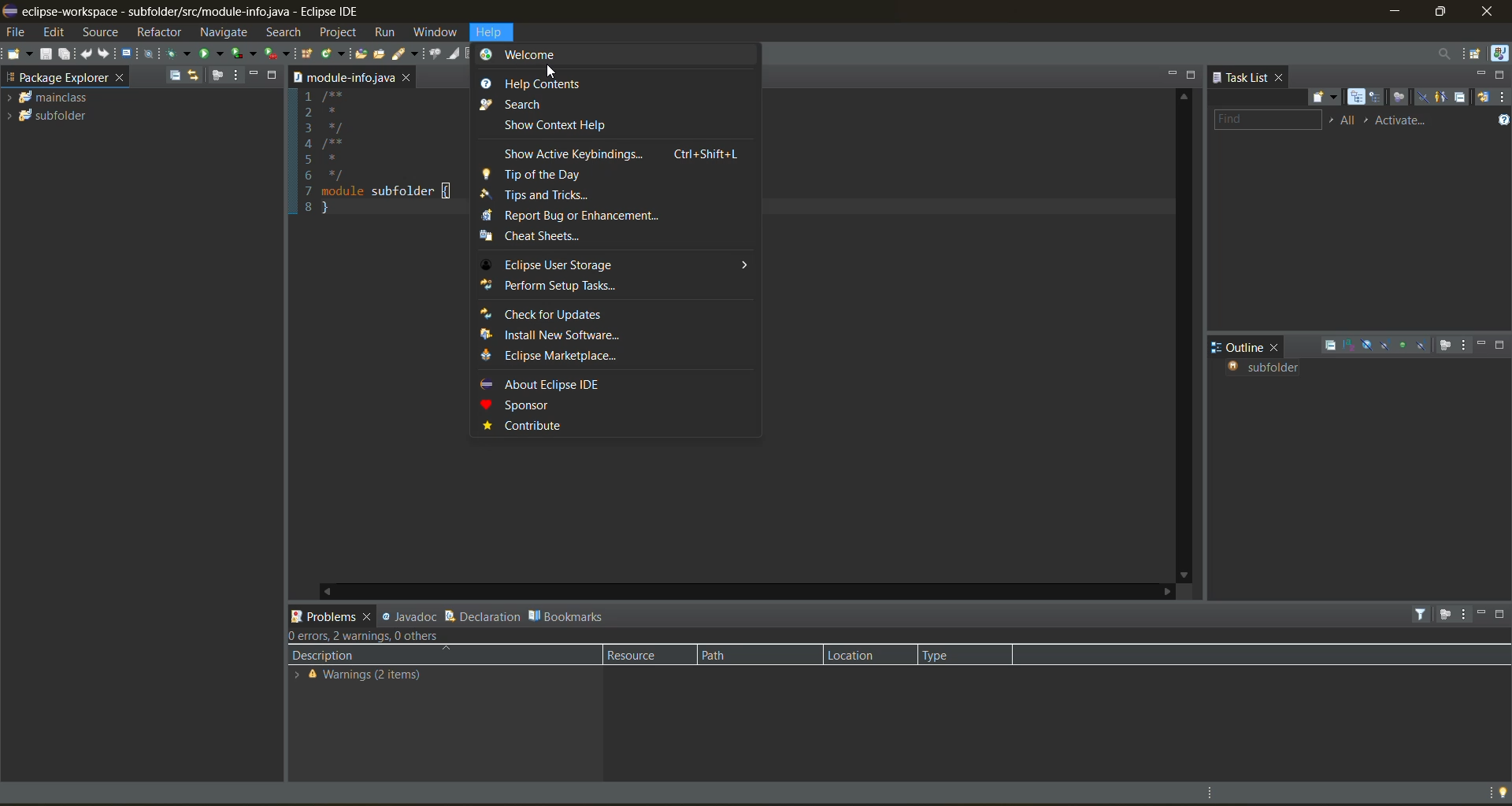  I want to click on search, so click(406, 52).